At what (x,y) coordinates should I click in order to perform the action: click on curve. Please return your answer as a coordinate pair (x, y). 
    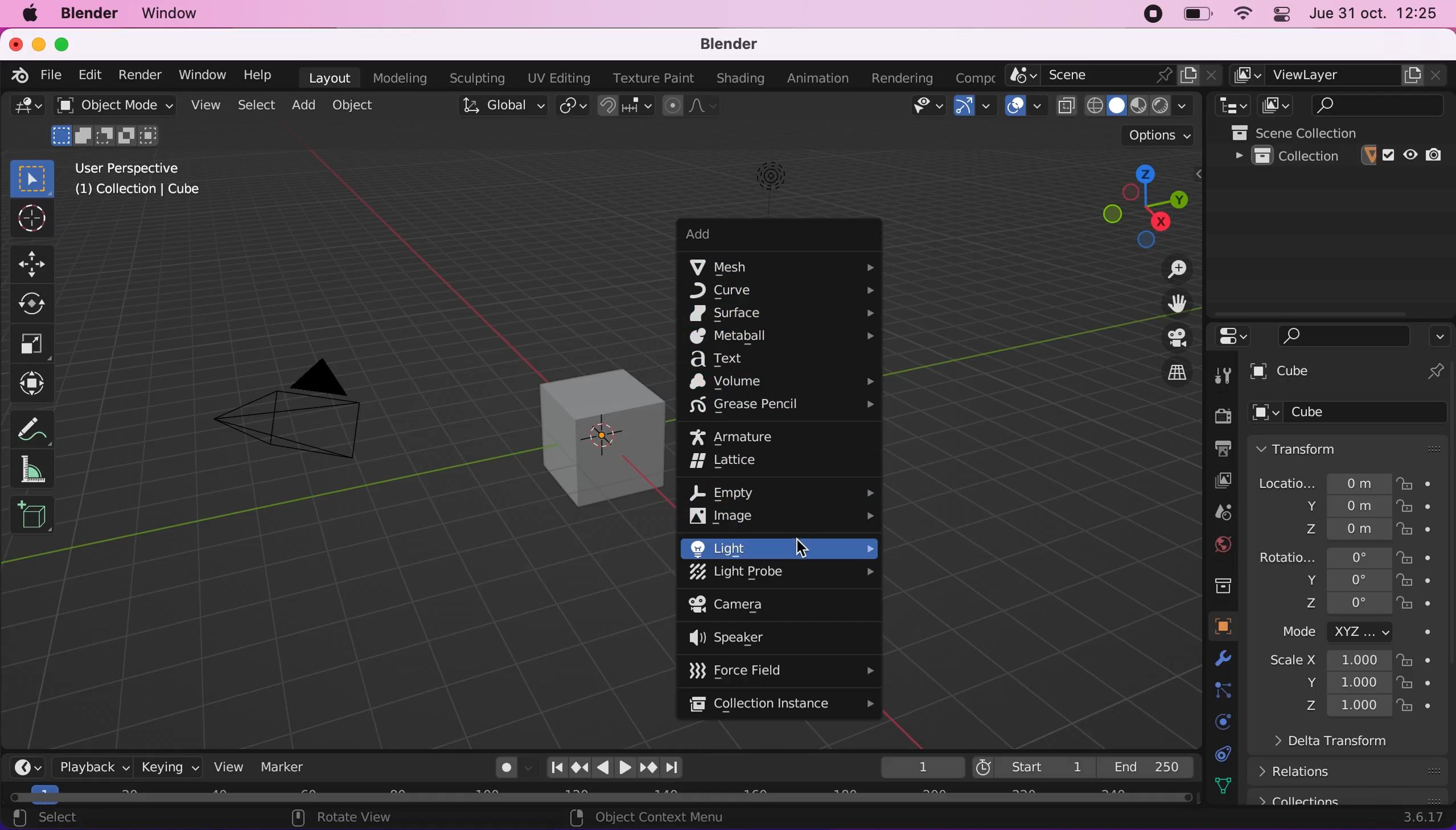
    Looking at the image, I should click on (785, 292).